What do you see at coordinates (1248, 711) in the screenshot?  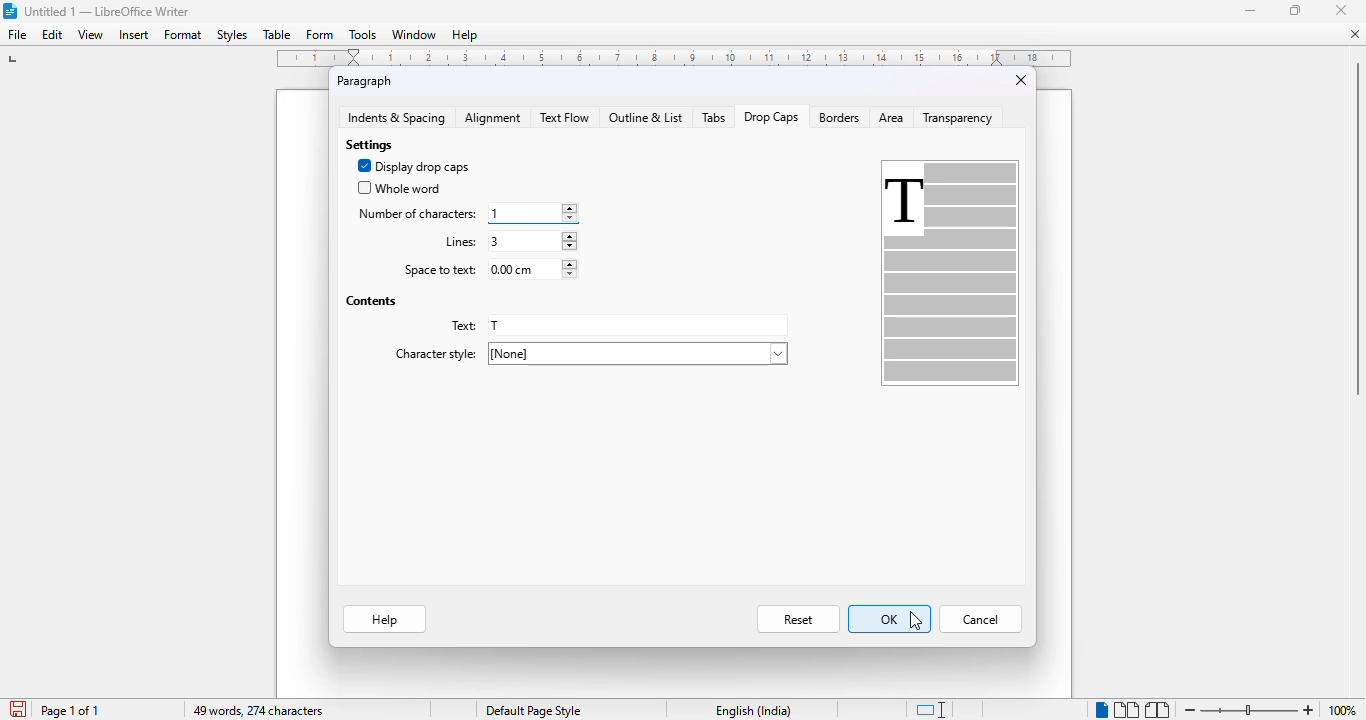 I see `zoom in or zoom out bar` at bounding box center [1248, 711].